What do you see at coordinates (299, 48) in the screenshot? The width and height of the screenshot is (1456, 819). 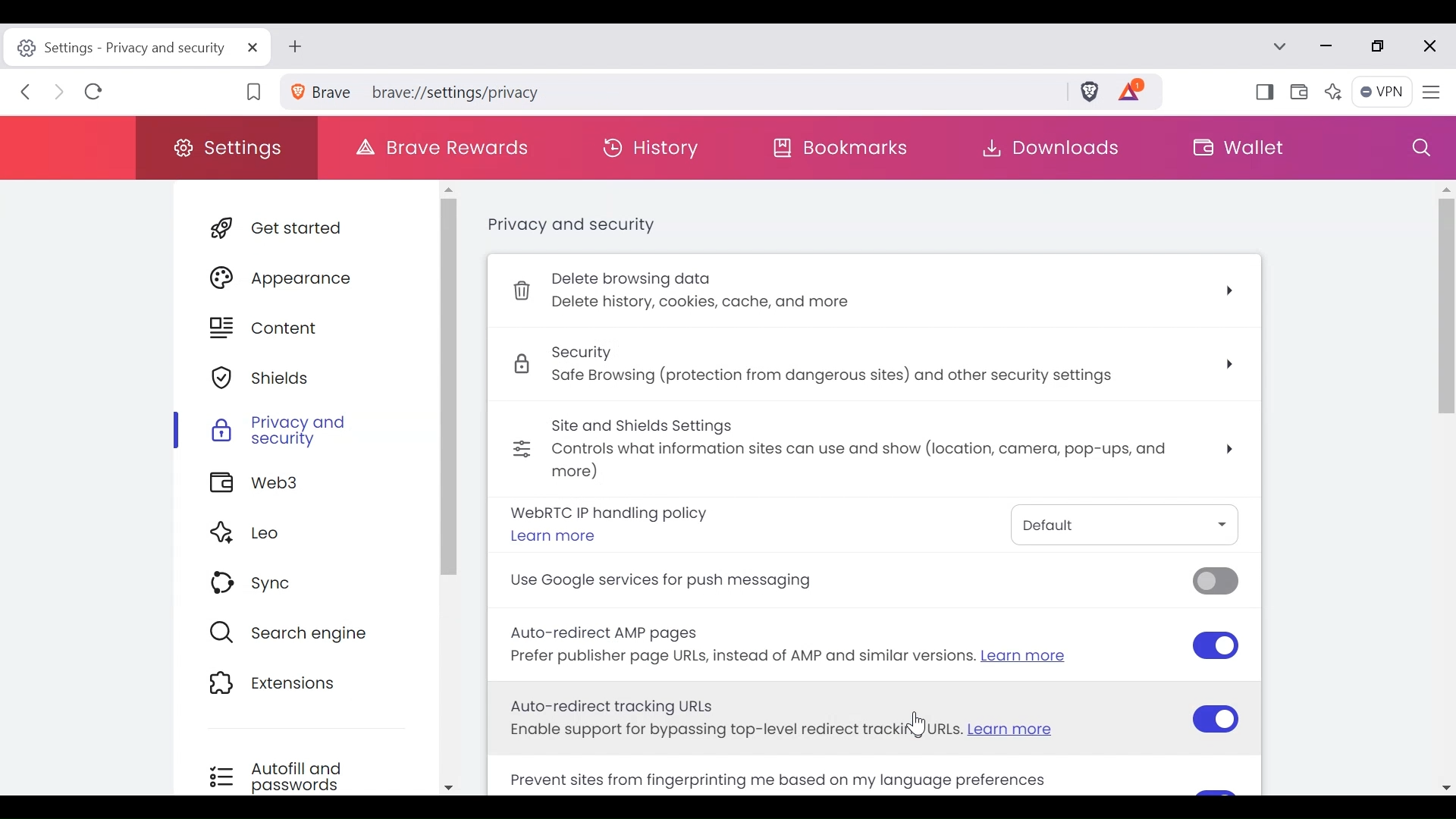 I see `New Tab` at bounding box center [299, 48].